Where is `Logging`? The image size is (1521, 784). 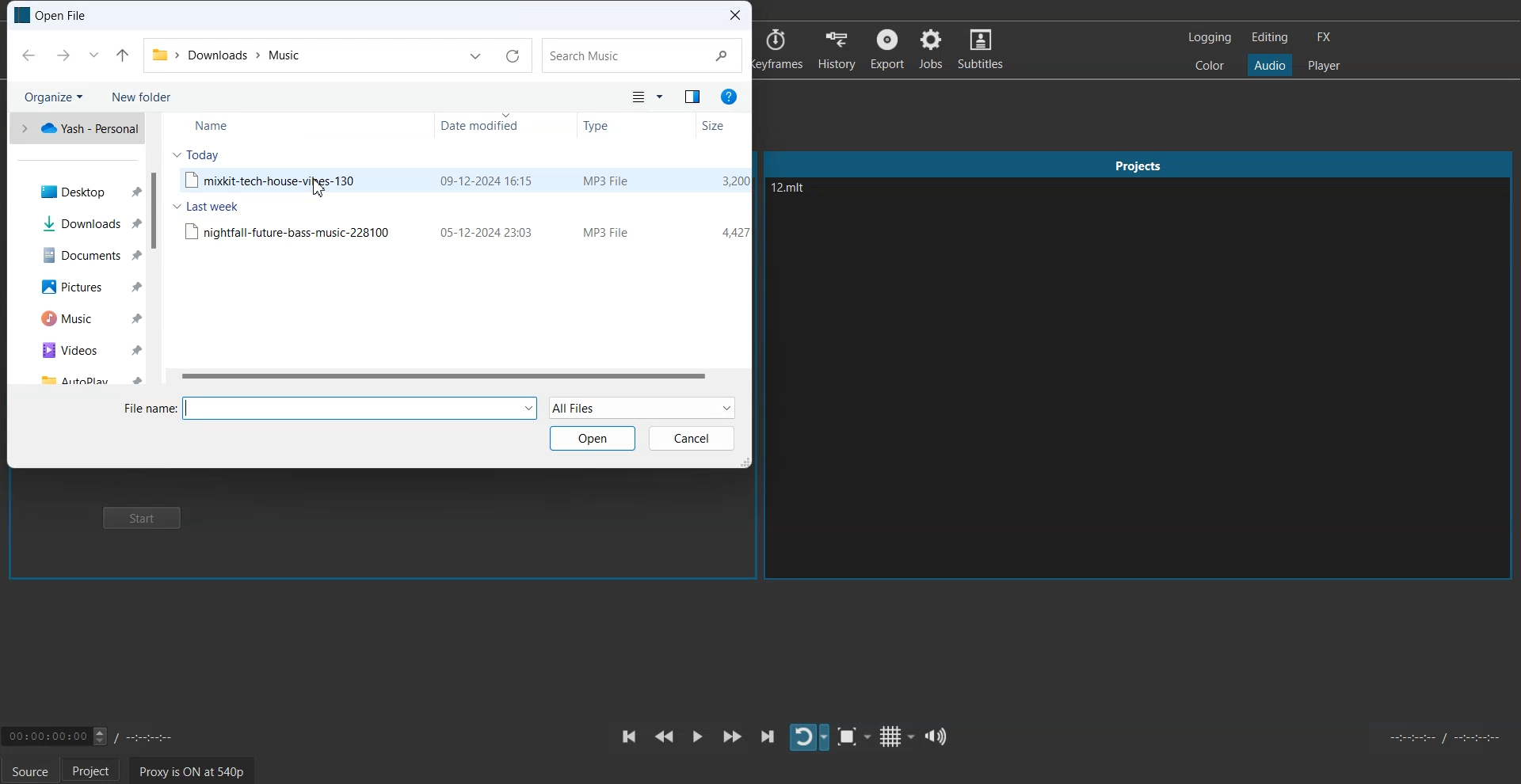 Logging is located at coordinates (1209, 36).